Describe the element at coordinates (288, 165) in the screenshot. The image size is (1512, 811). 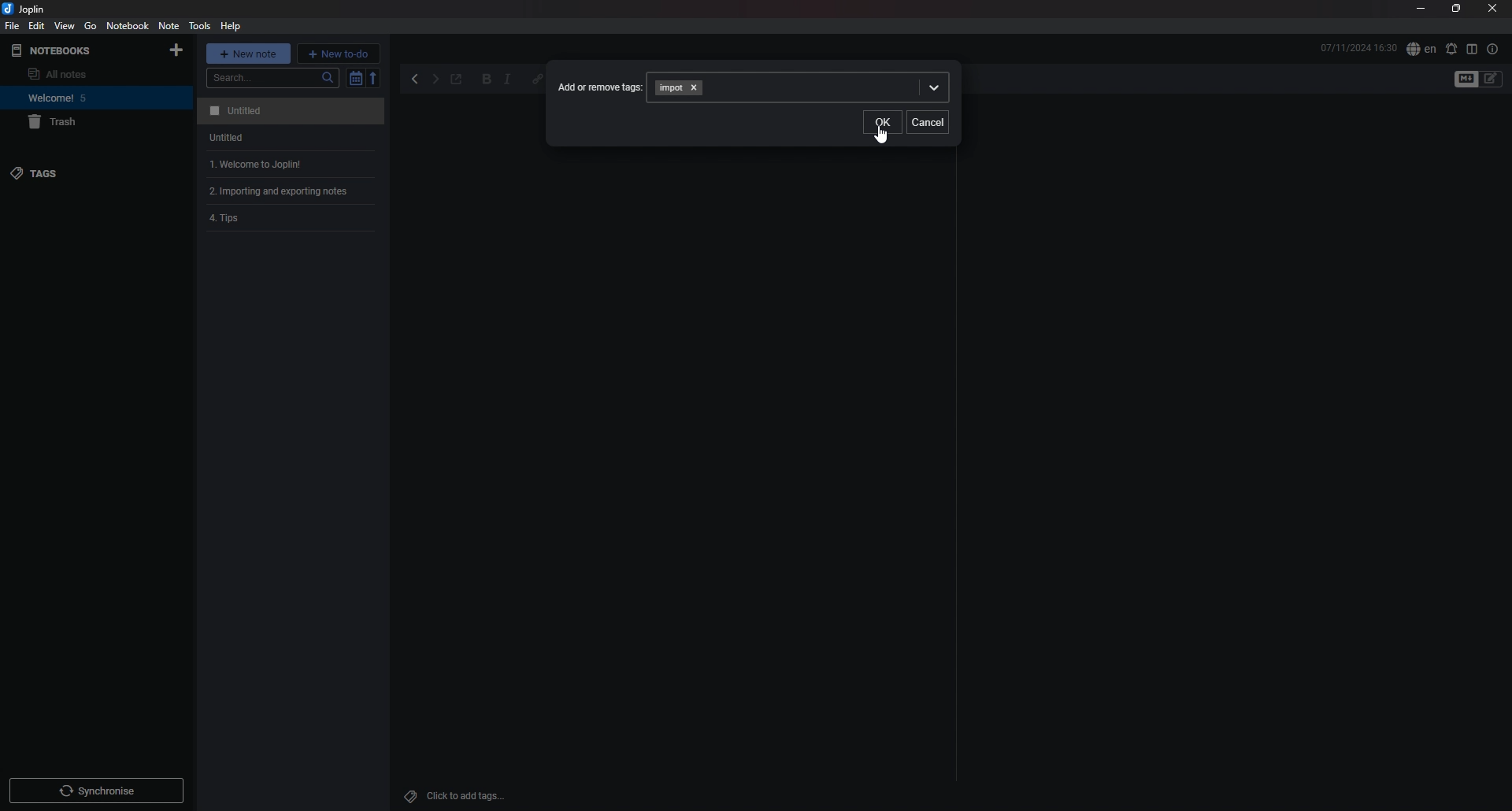
I see `note` at that location.